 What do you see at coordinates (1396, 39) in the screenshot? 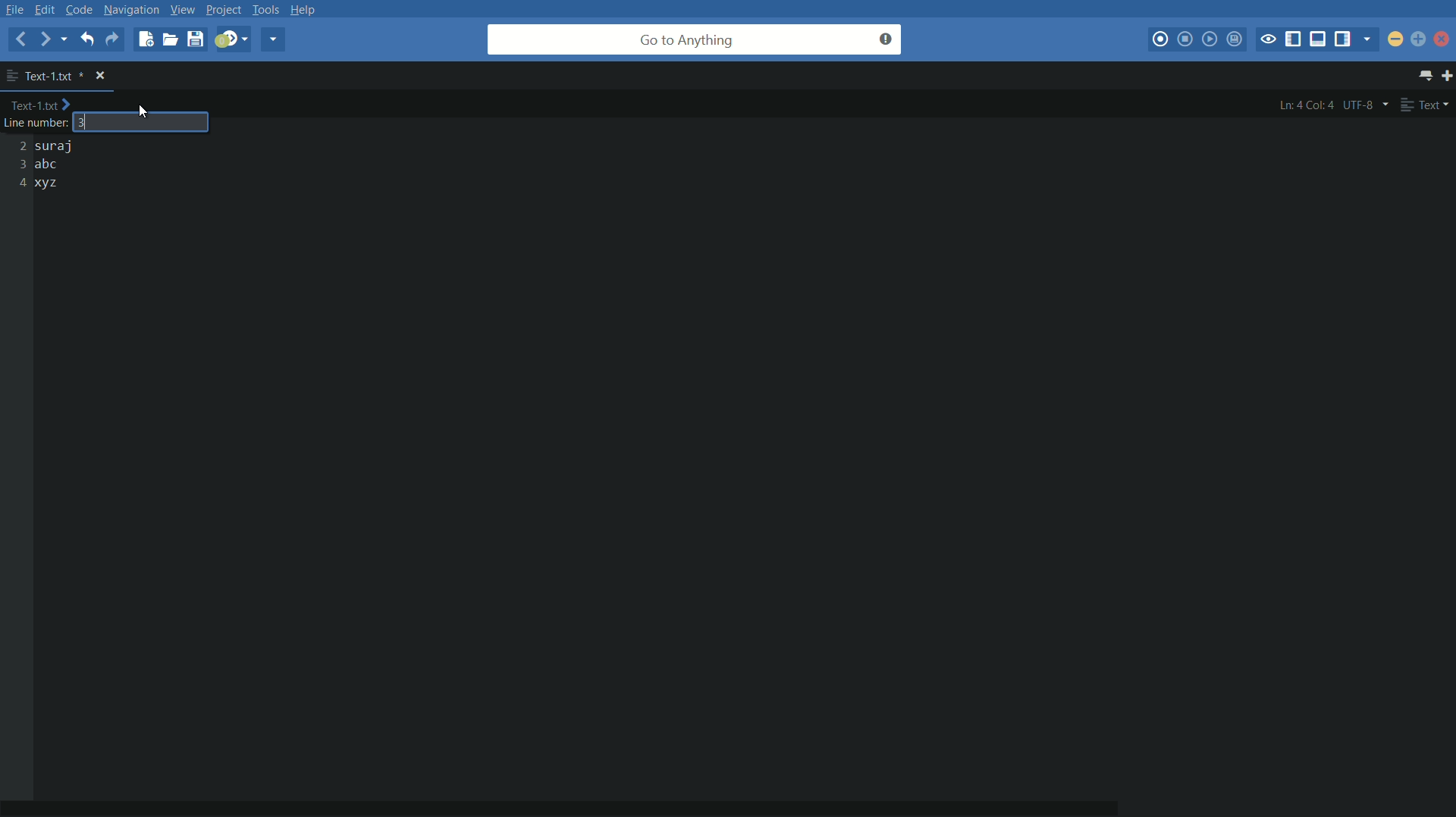
I see `minimize` at bounding box center [1396, 39].